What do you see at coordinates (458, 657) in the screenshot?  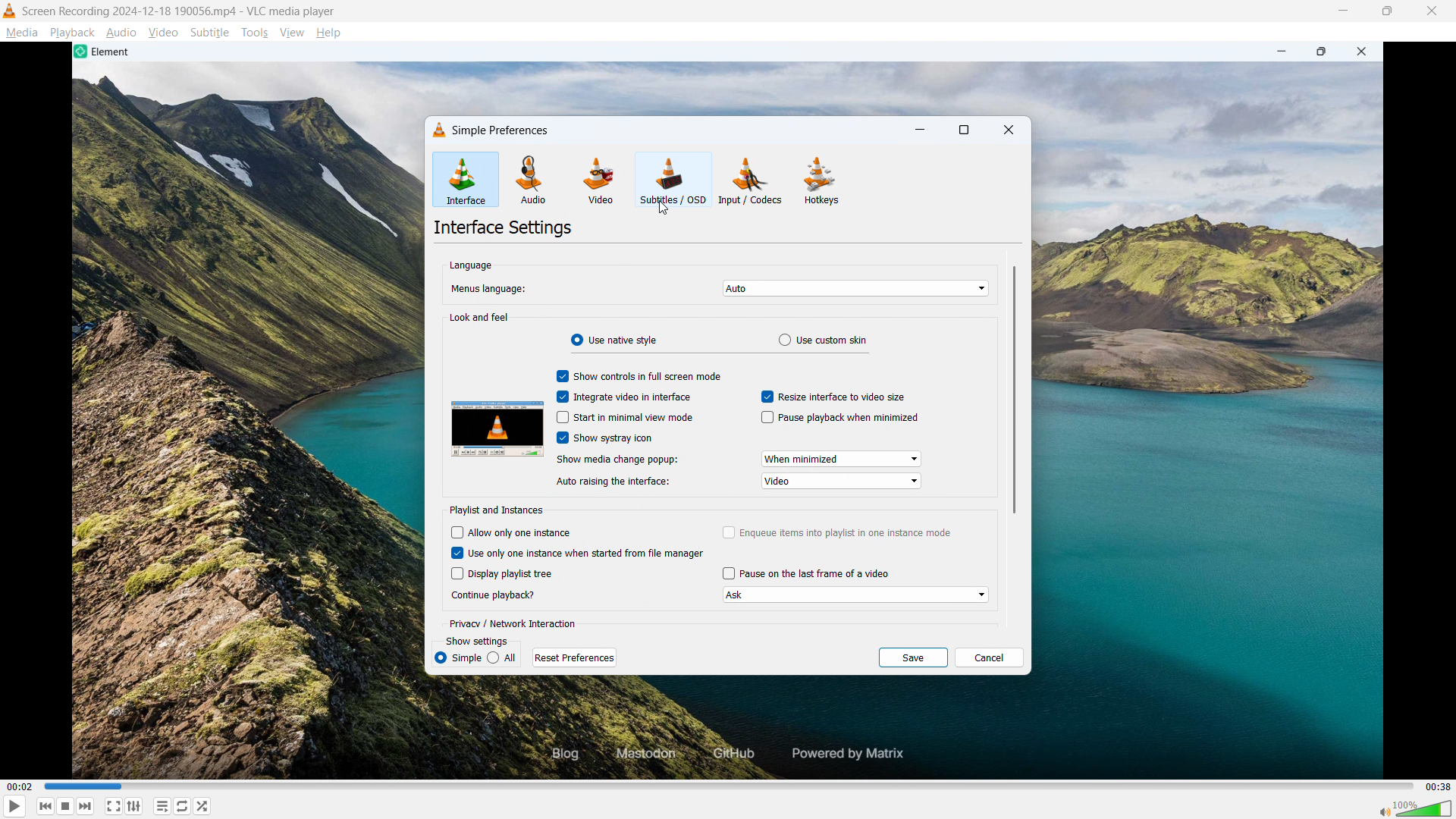 I see `Simple` at bounding box center [458, 657].